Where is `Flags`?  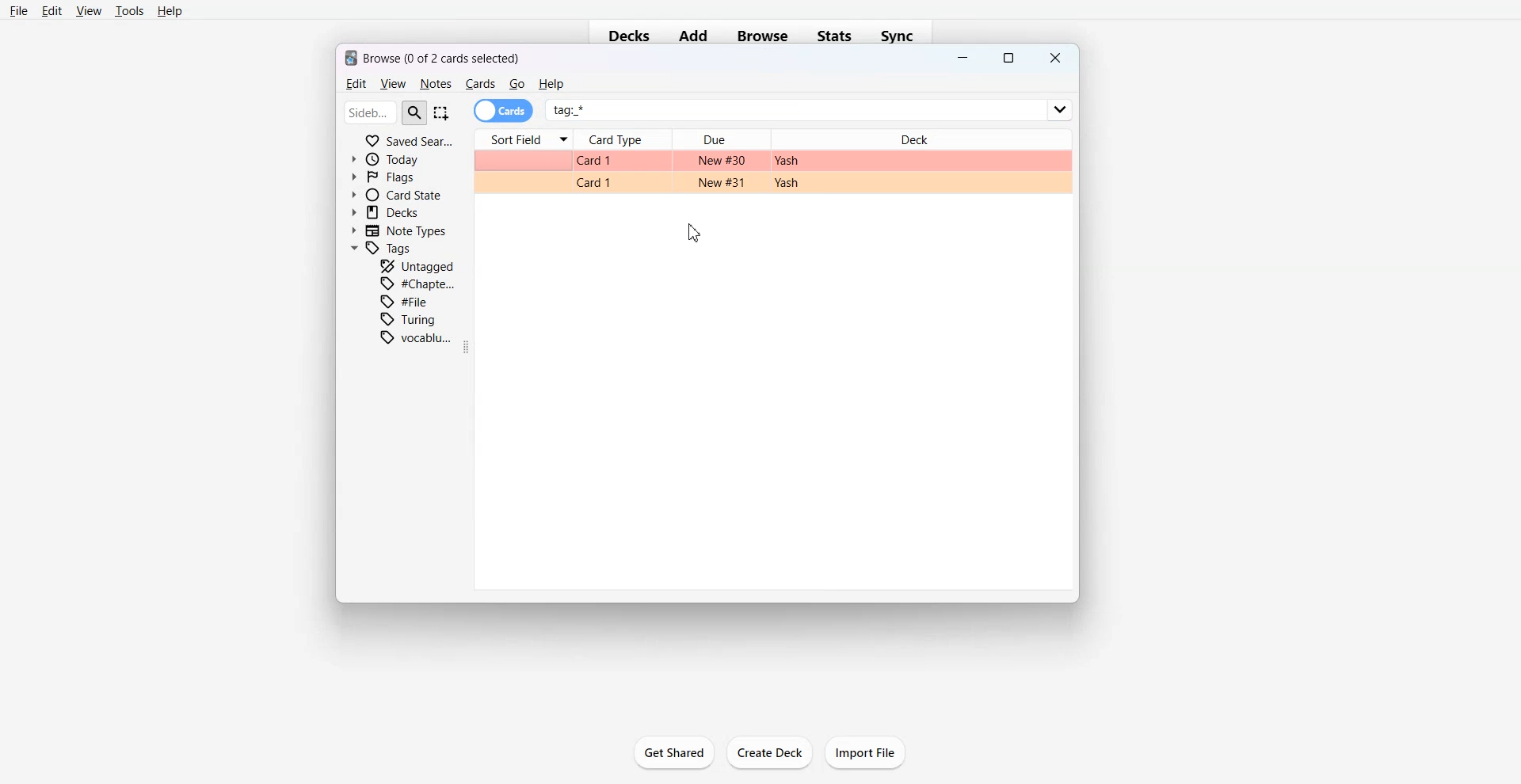
Flags is located at coordinates (383, 176).